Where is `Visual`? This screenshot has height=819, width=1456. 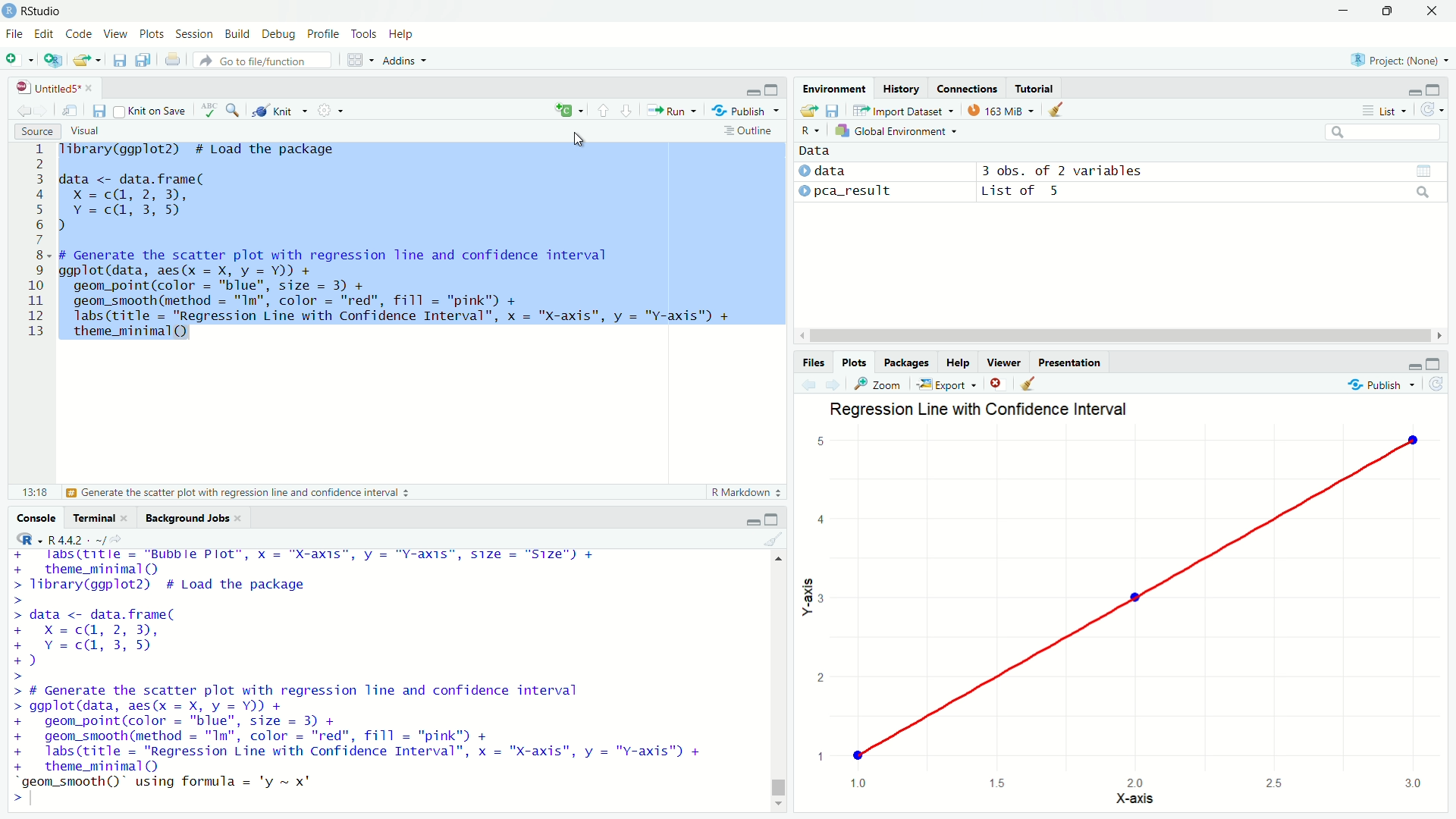
Visual is located at coordinates (85, 131).